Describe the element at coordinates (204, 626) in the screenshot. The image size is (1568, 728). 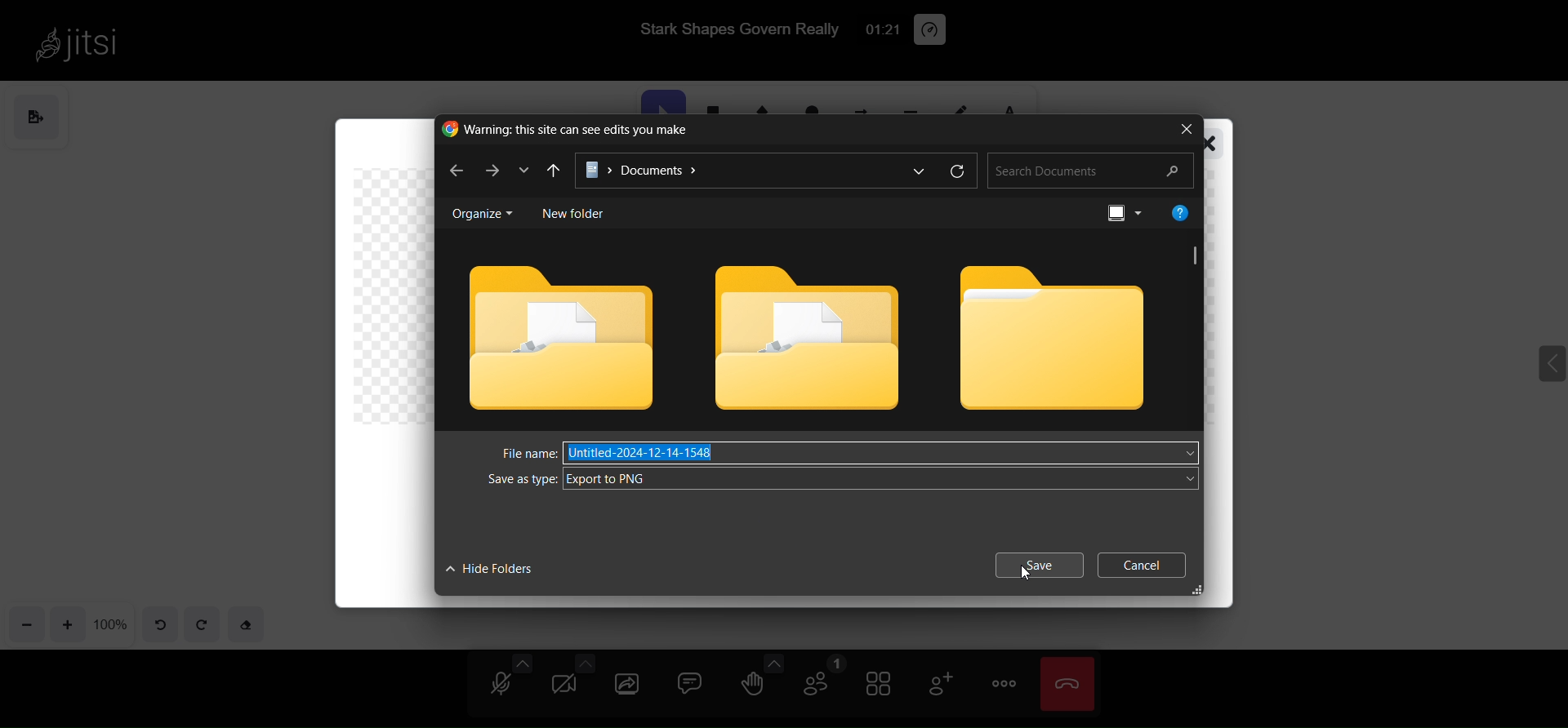
I see `redo` at that location.